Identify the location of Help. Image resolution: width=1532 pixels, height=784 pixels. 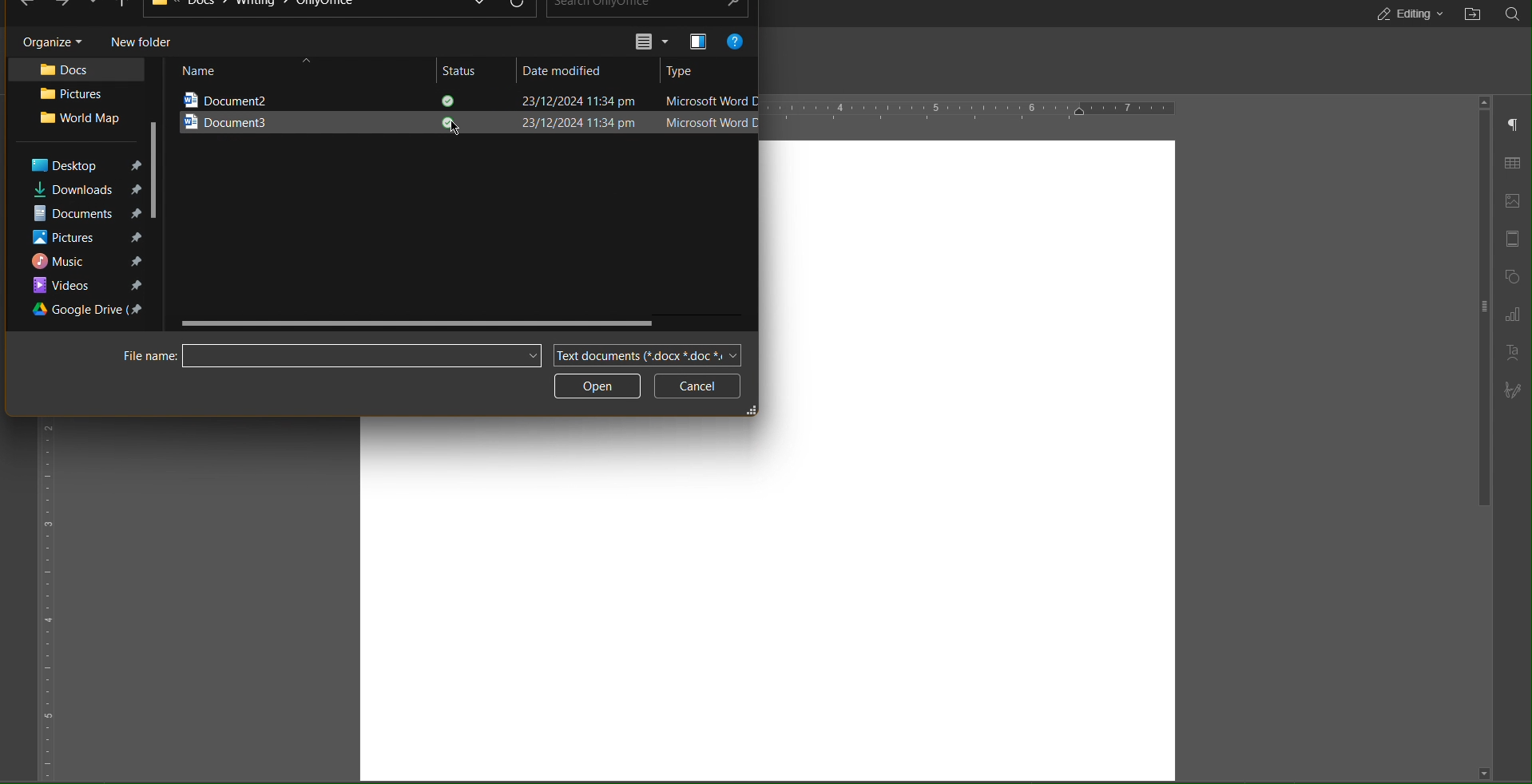
(735, 41).